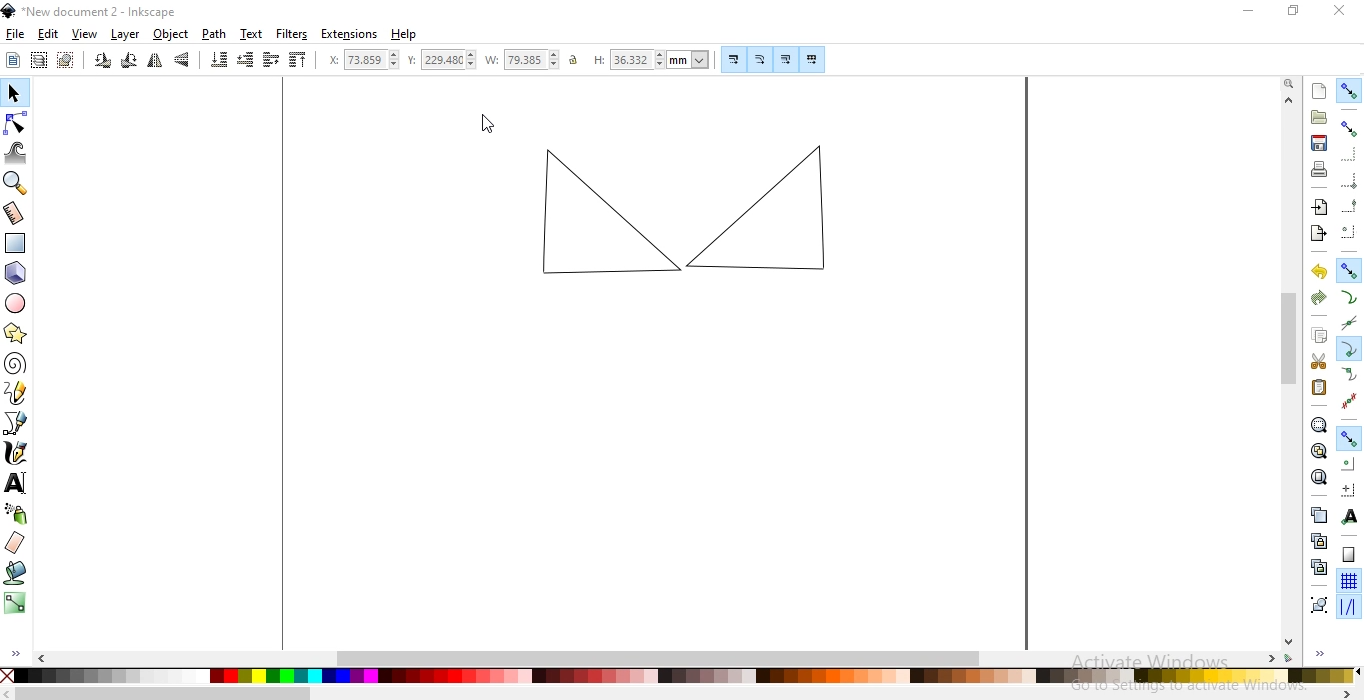  What do you see at coordinates (271, 60) in the screenshot?
I see `raise selection one step` at bounding box center [271, 60].